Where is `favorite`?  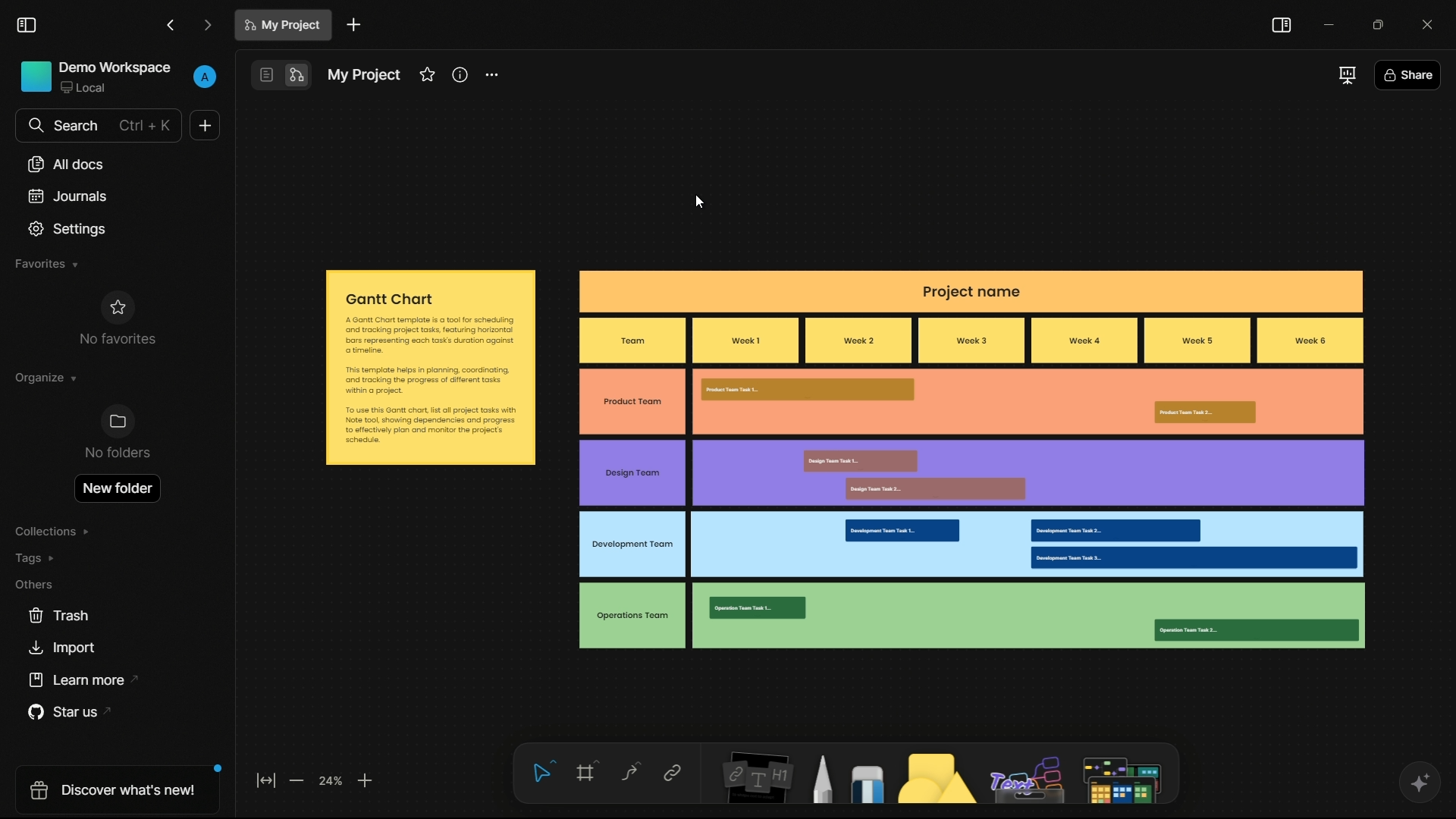
favorite is located at coordinates (426, 75).